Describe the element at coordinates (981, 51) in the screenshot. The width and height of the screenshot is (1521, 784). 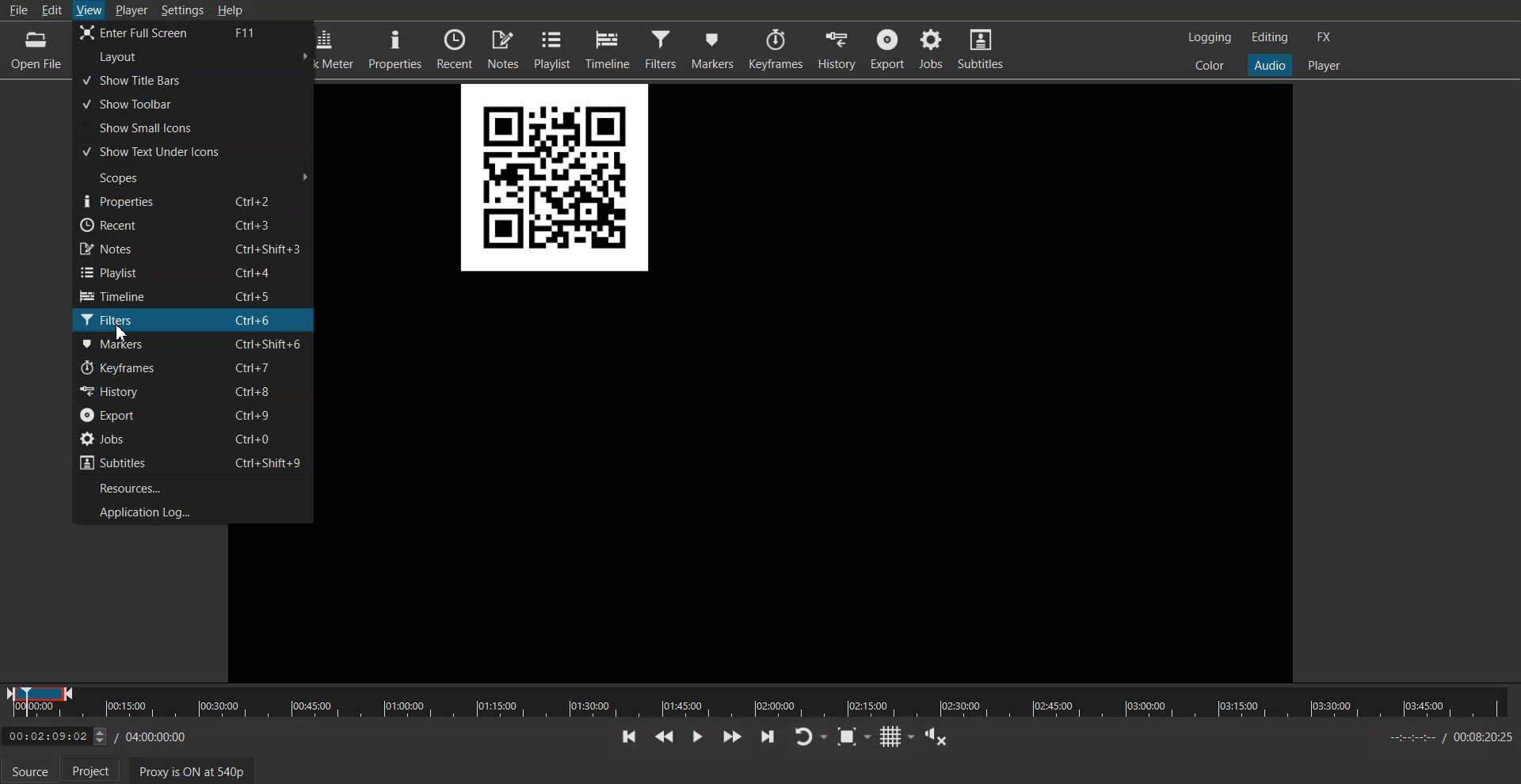
I see `Subtitles` at that location.